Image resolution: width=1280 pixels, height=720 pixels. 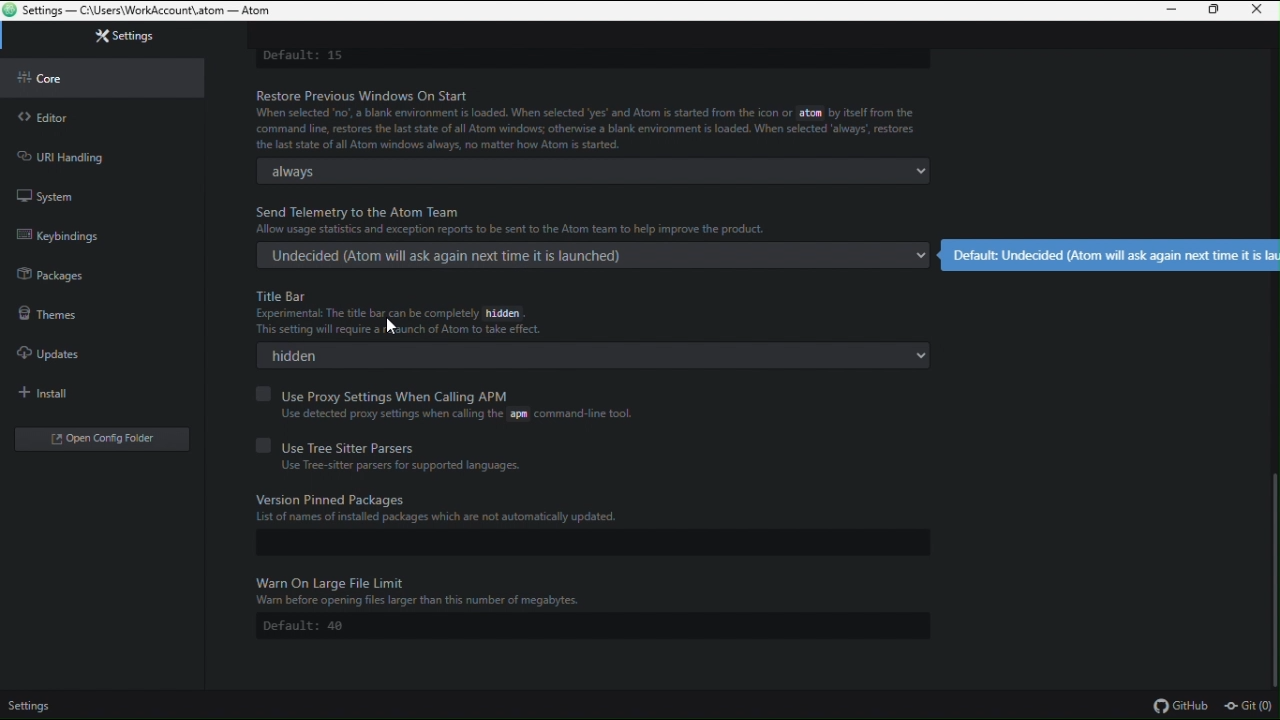 What do you see at coordinates (1261, 10) in the screenshot?
I see `close` at bounding box center [1261, 10].